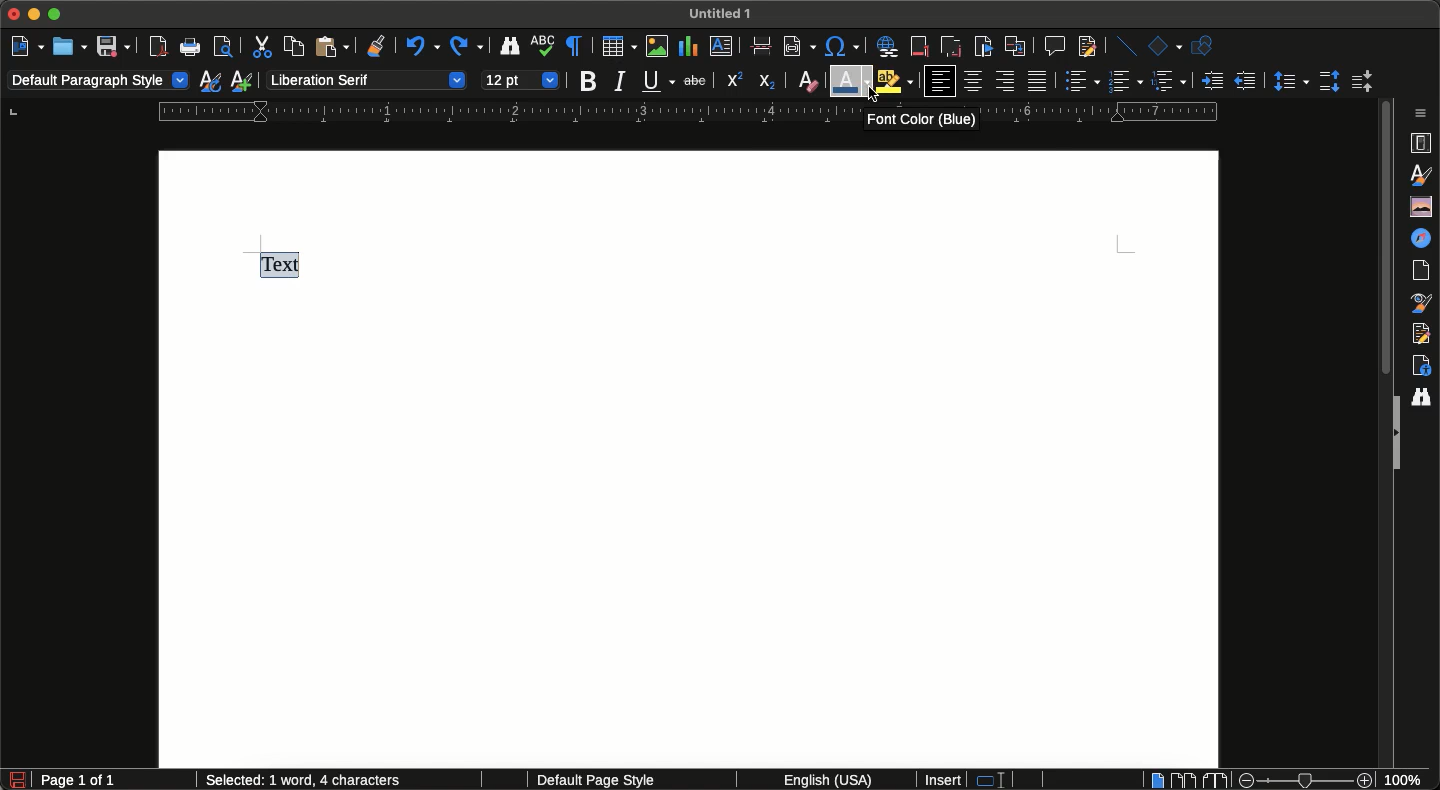  Describe the element at coordinates (1125, 79) in the screenshot. I see `Toggle ordered list` at that location.